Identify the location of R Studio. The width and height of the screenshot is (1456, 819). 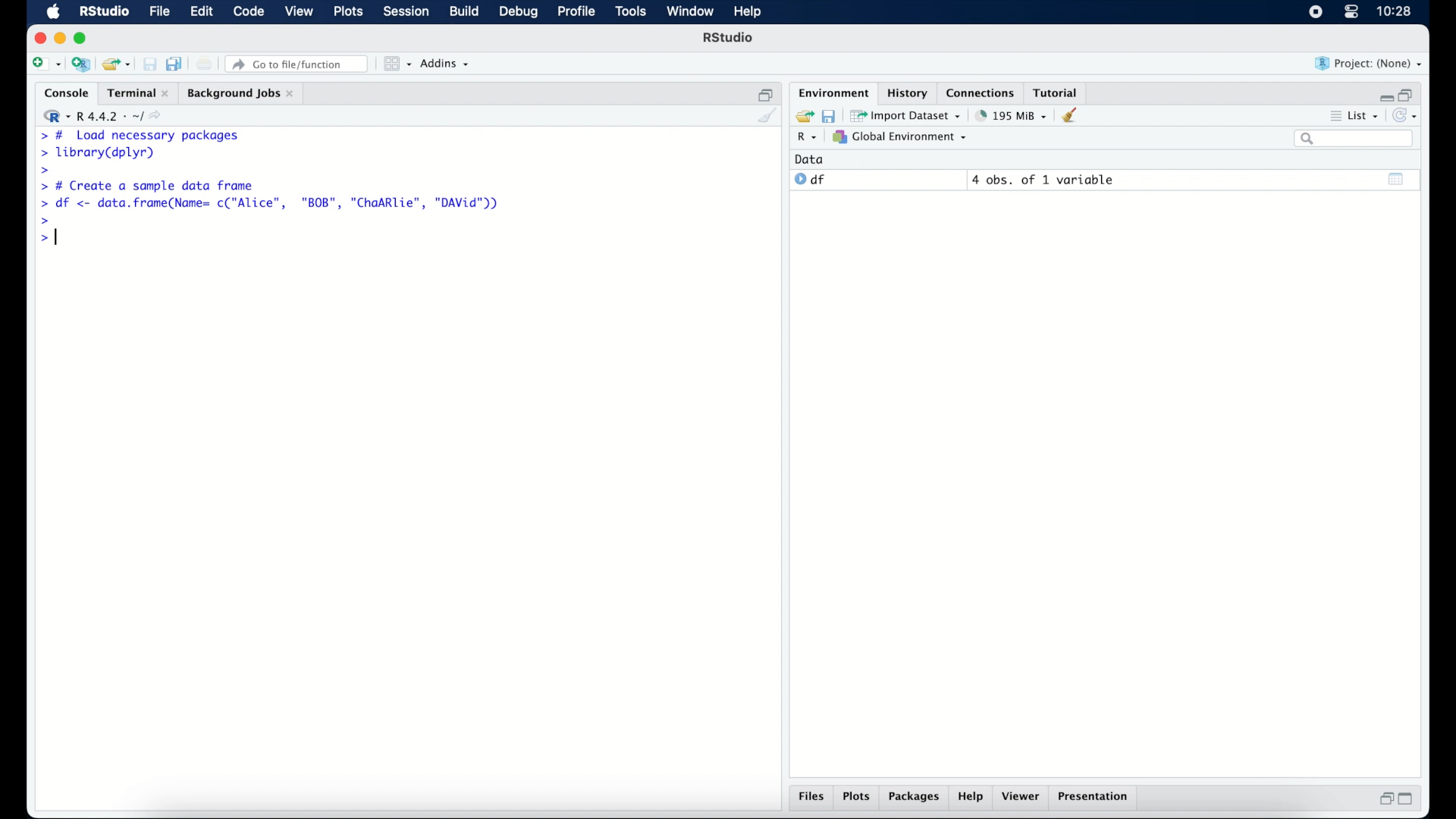
(730, 39).